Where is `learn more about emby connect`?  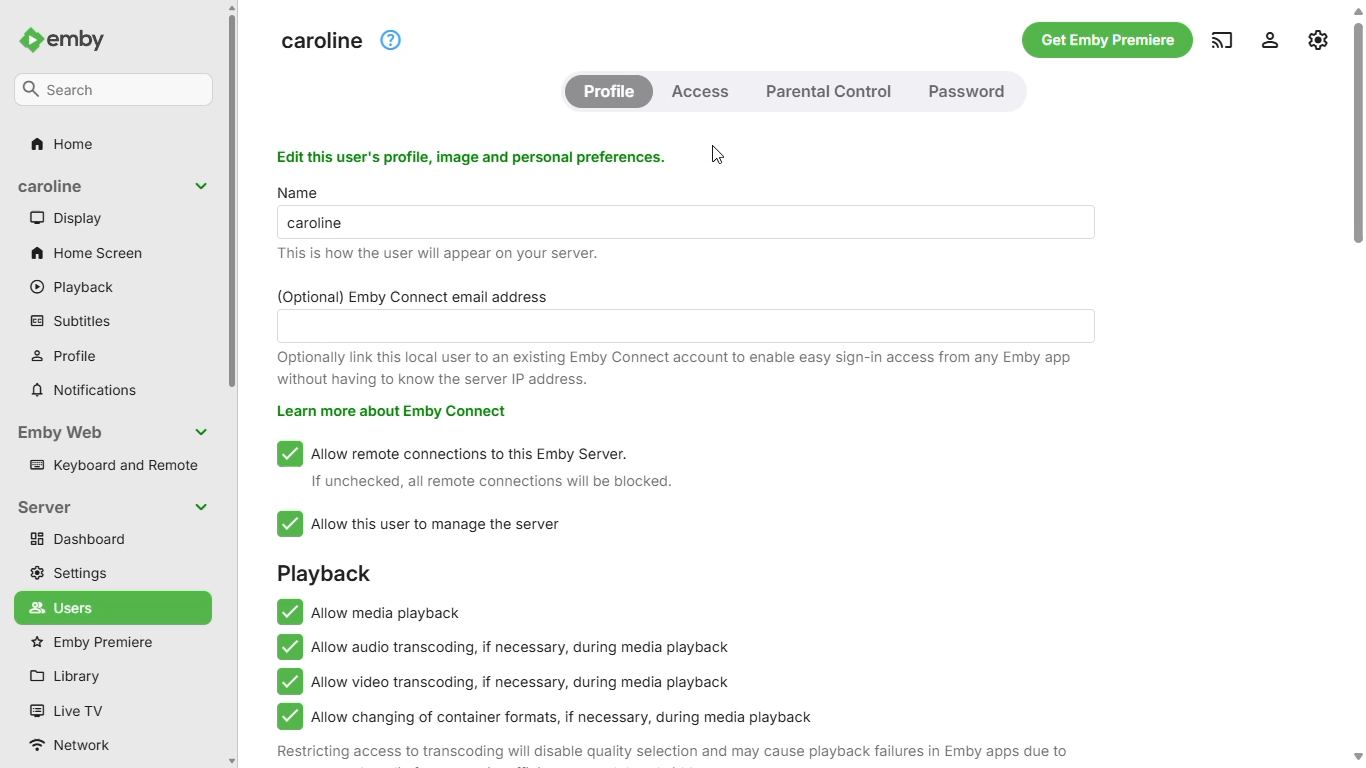
learn more about emby connect is located at coordinates (389, 411).